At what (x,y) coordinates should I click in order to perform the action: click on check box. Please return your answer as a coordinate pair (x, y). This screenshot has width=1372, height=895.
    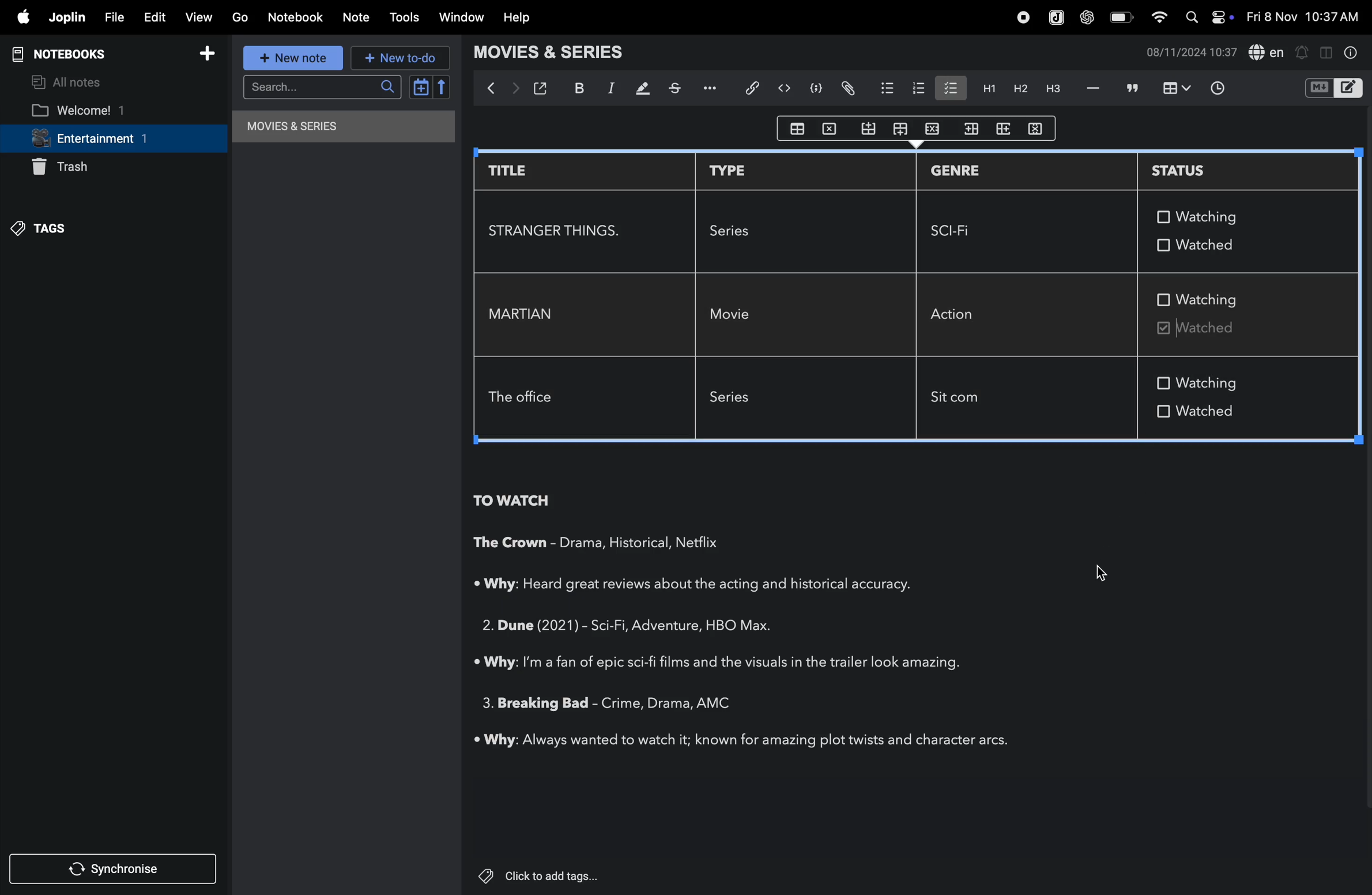
    Looking at the image, I should click on (1163, 410).